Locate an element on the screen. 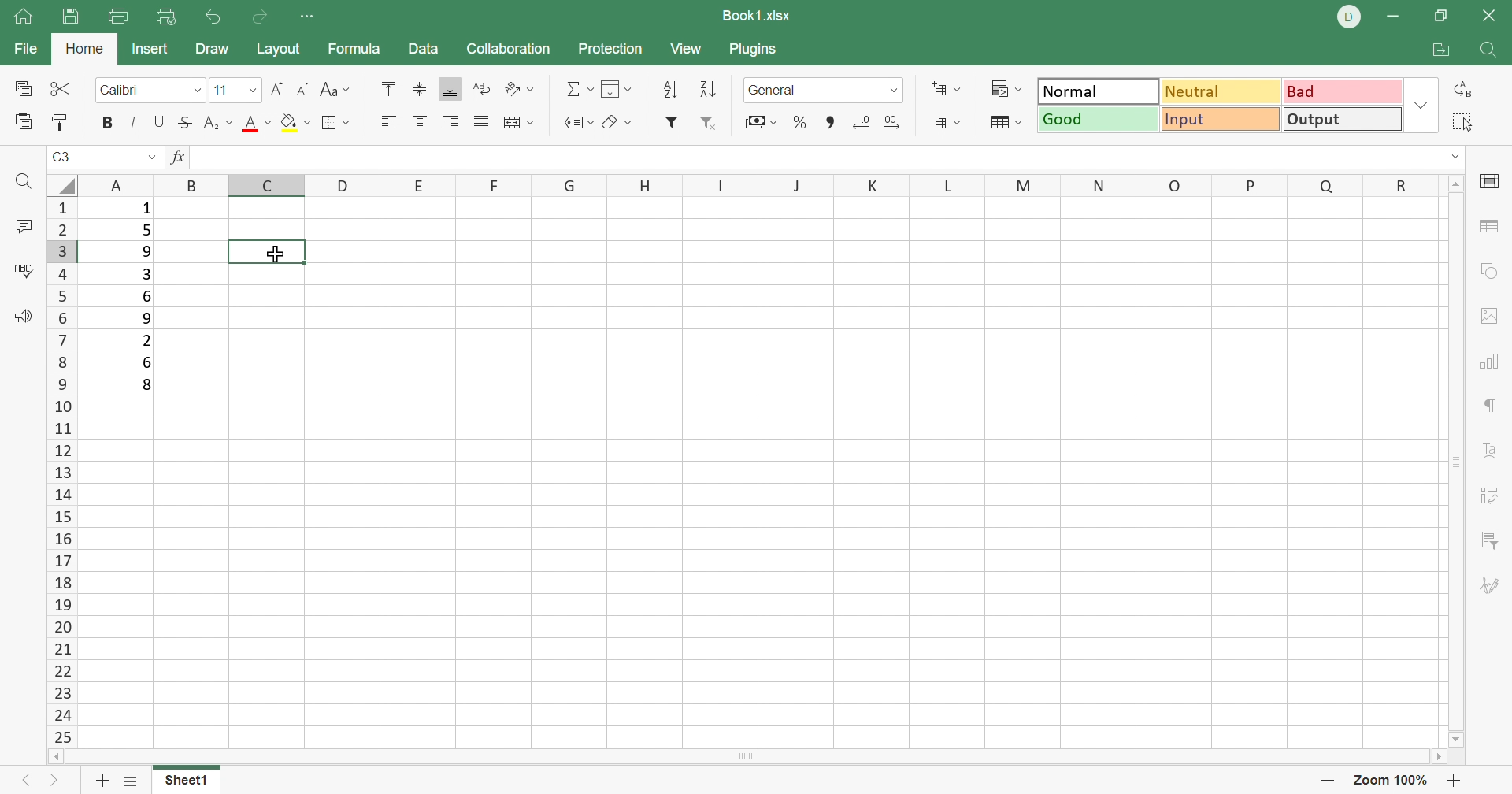  Delete cells is located at coordinates (947, 123).